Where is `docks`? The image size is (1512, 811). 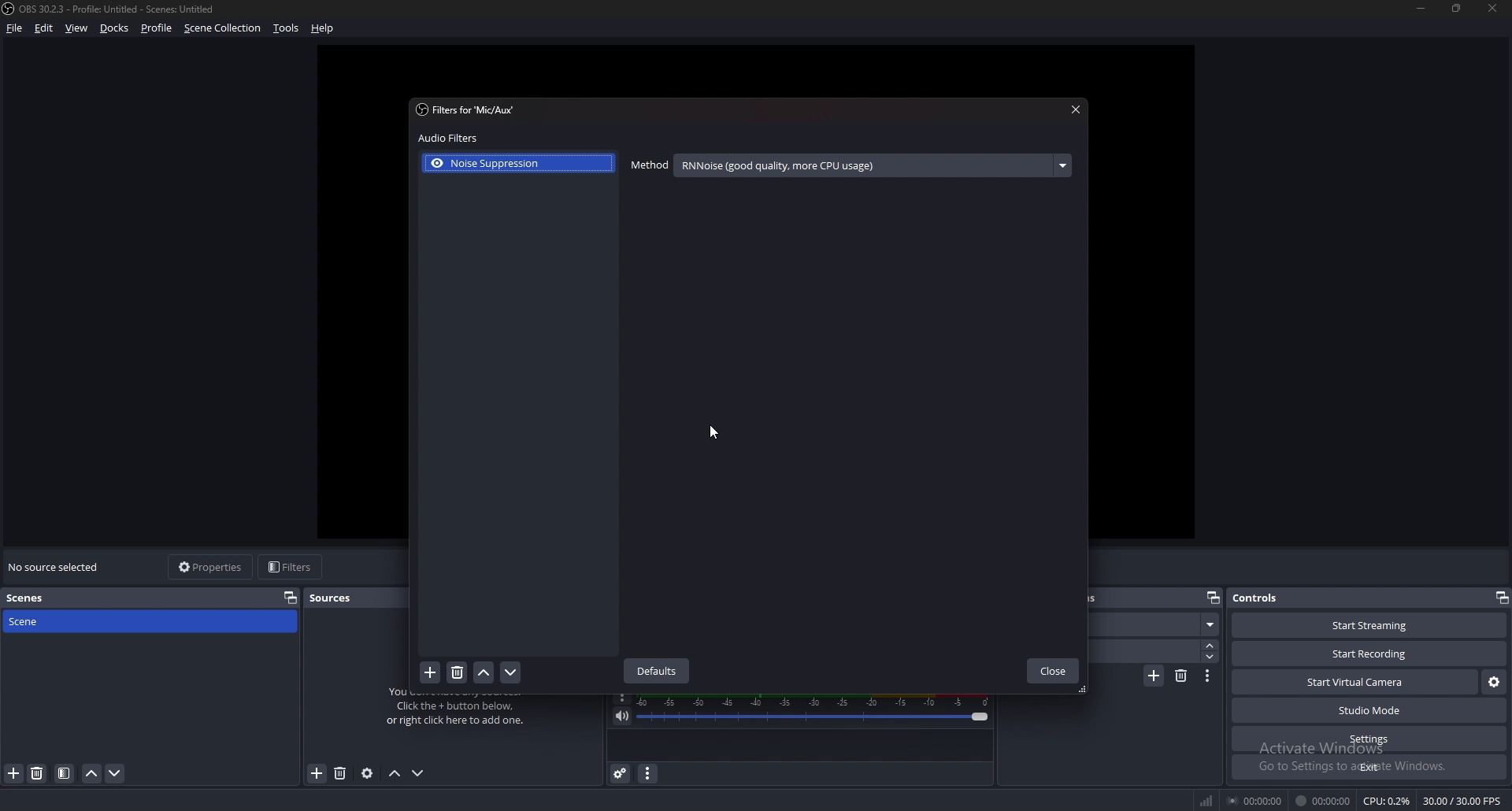
docks is located at coordinates (114, 28).